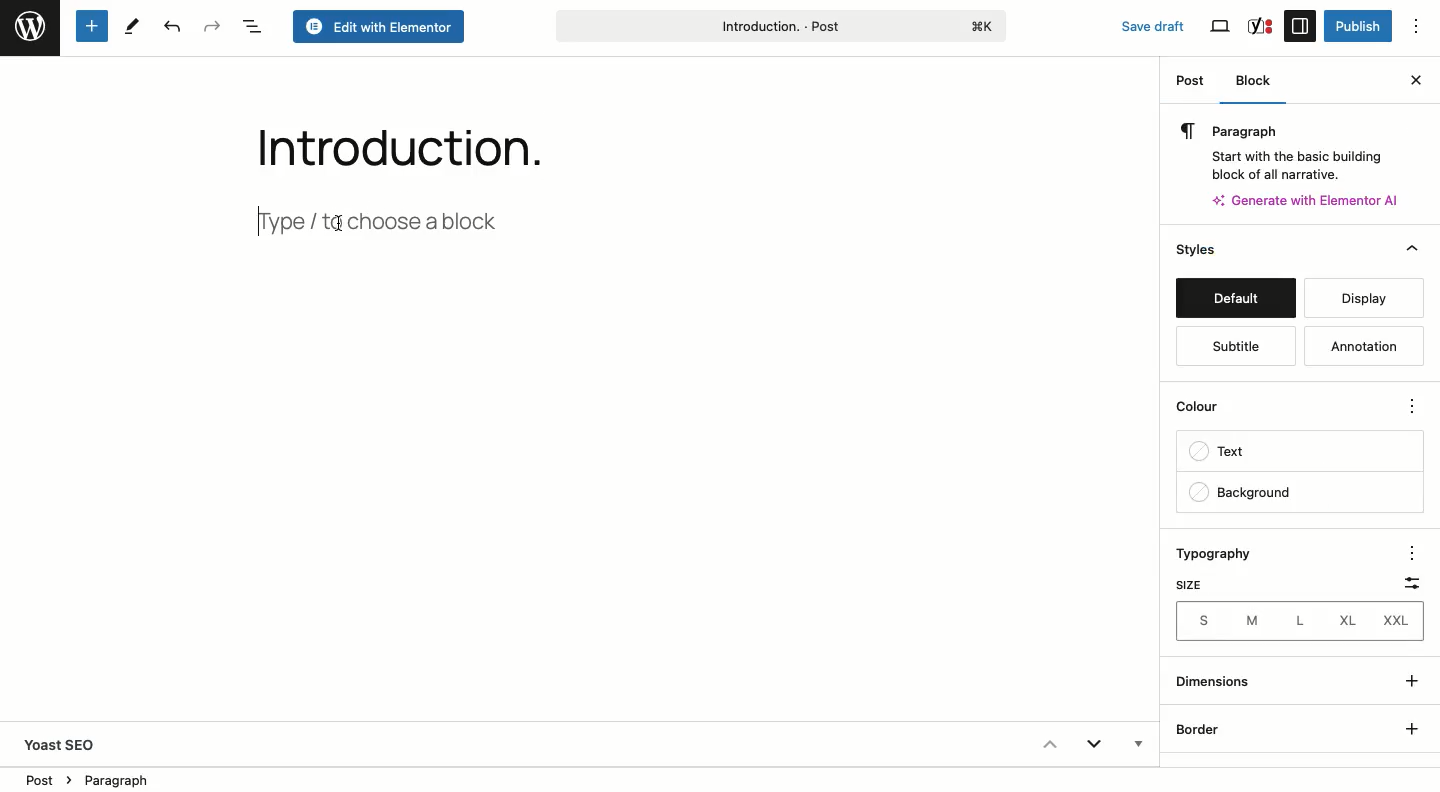 The height and width of the screenshot is (792, 1440). Describe the element at coordinates (1411, 408) in the screenshot. I see `Options` at that location.